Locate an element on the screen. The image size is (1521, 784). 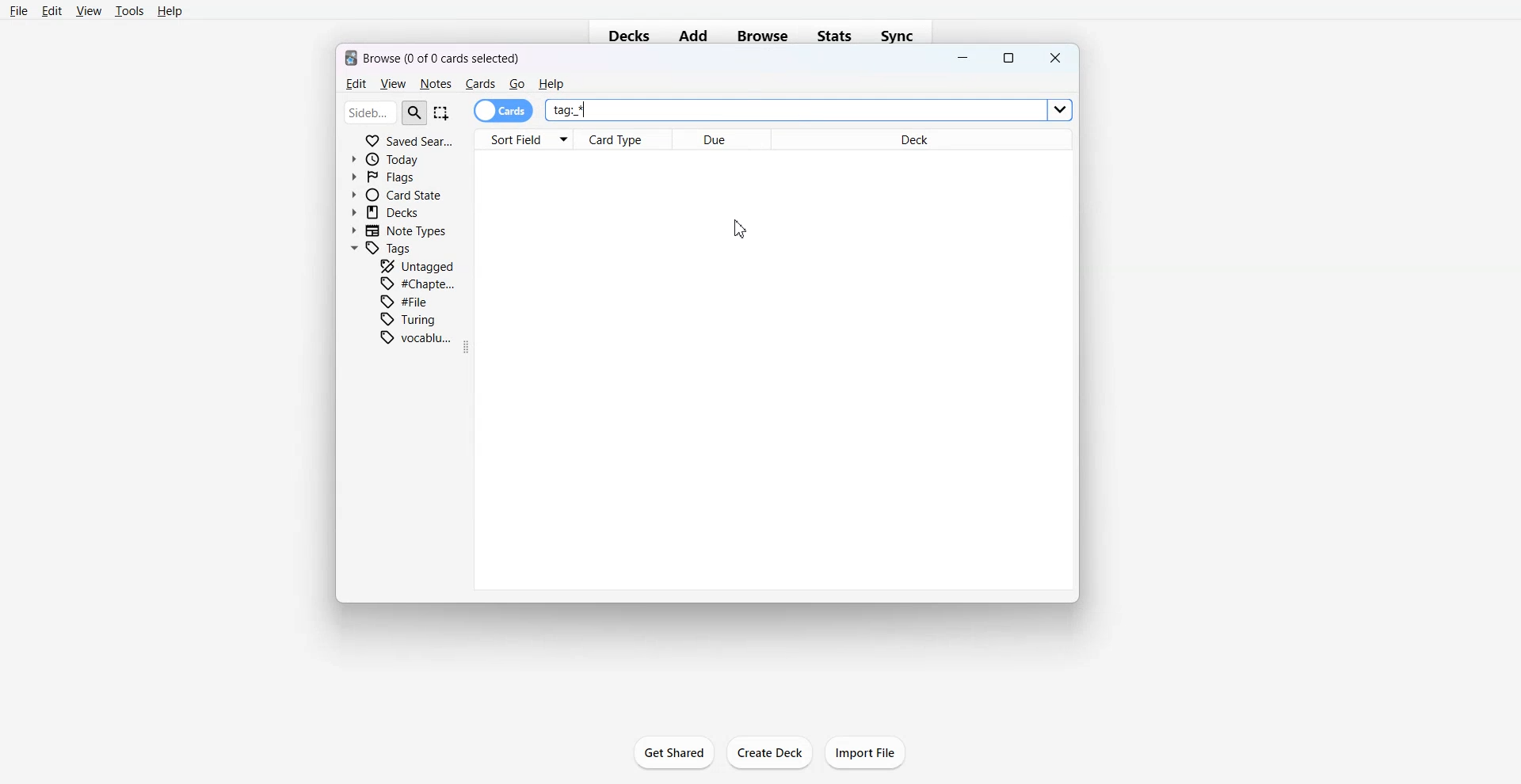
Cards is located at coordinates (504, 111).